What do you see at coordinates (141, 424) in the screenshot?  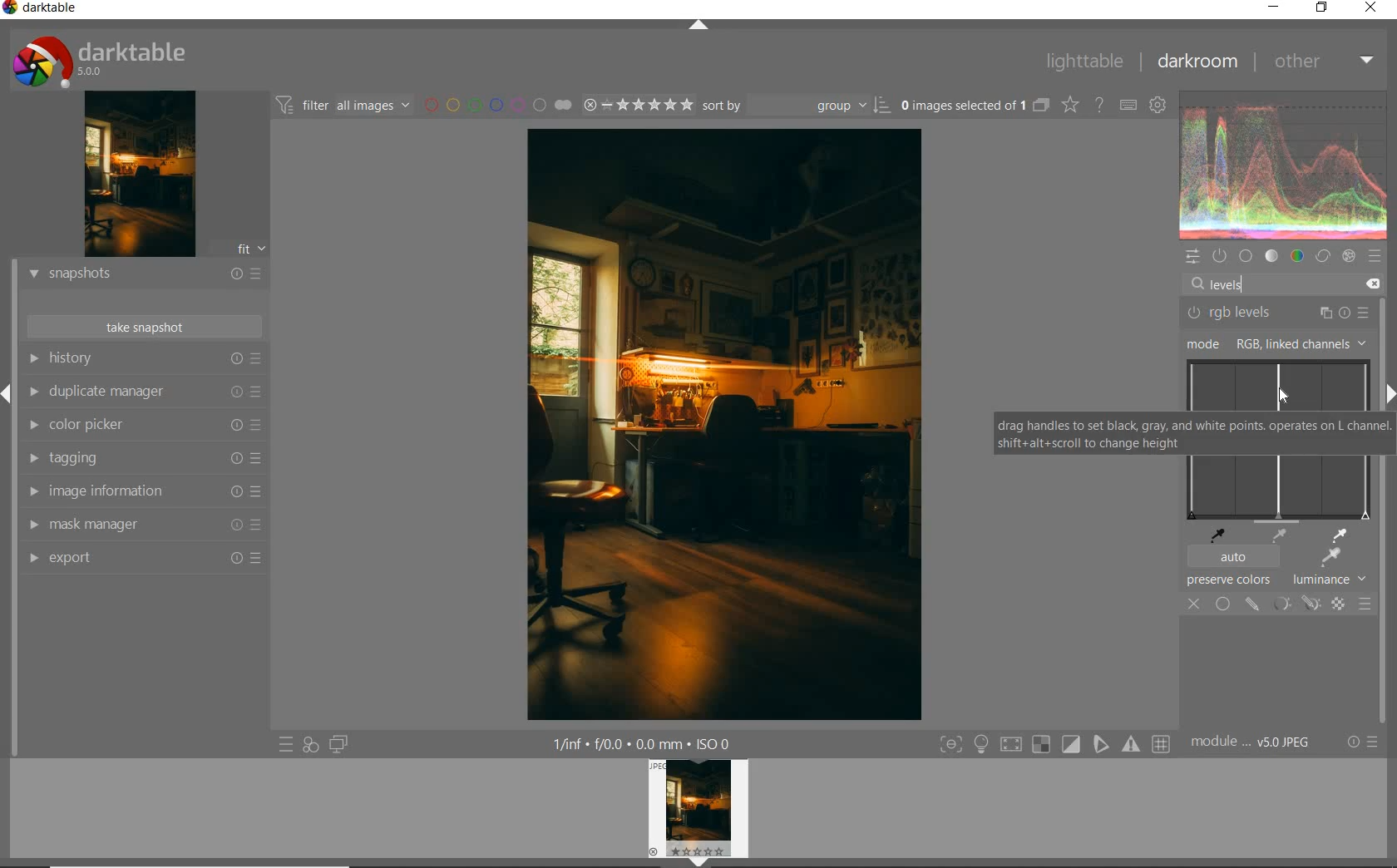 I see `color picker` at bounding box center [141, 424].